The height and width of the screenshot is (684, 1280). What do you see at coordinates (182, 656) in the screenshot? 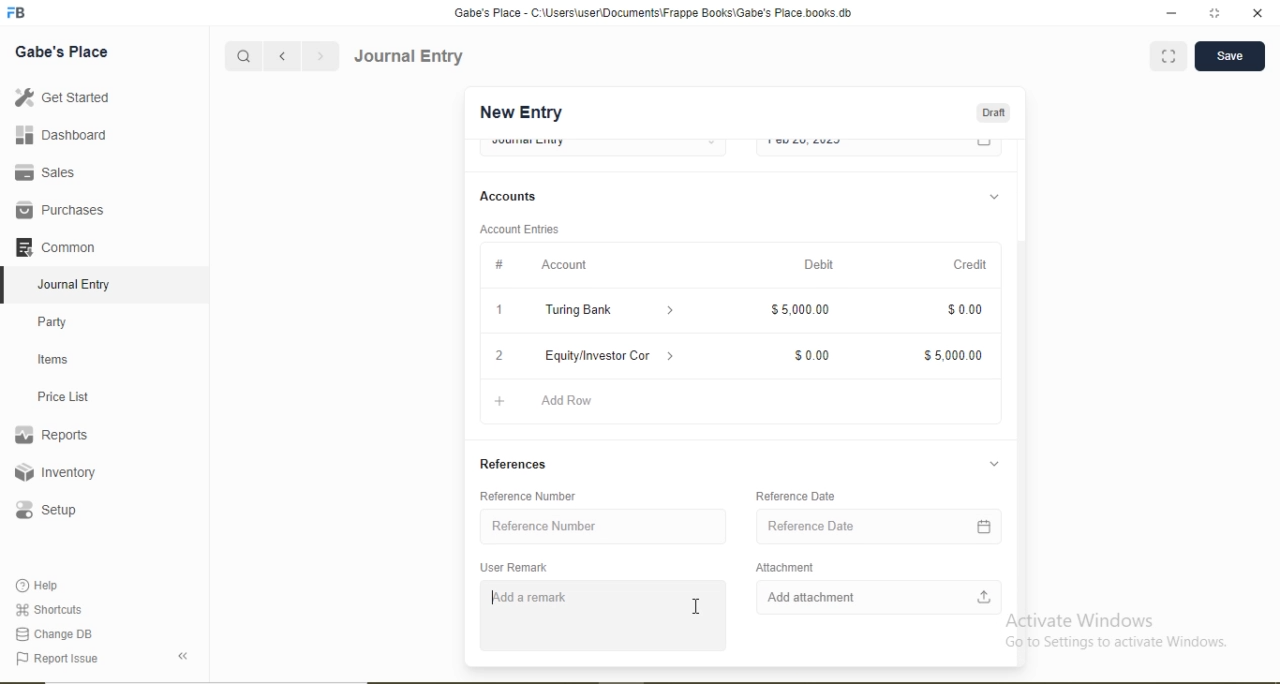
I see `Back` at bounding box center [182, 656].